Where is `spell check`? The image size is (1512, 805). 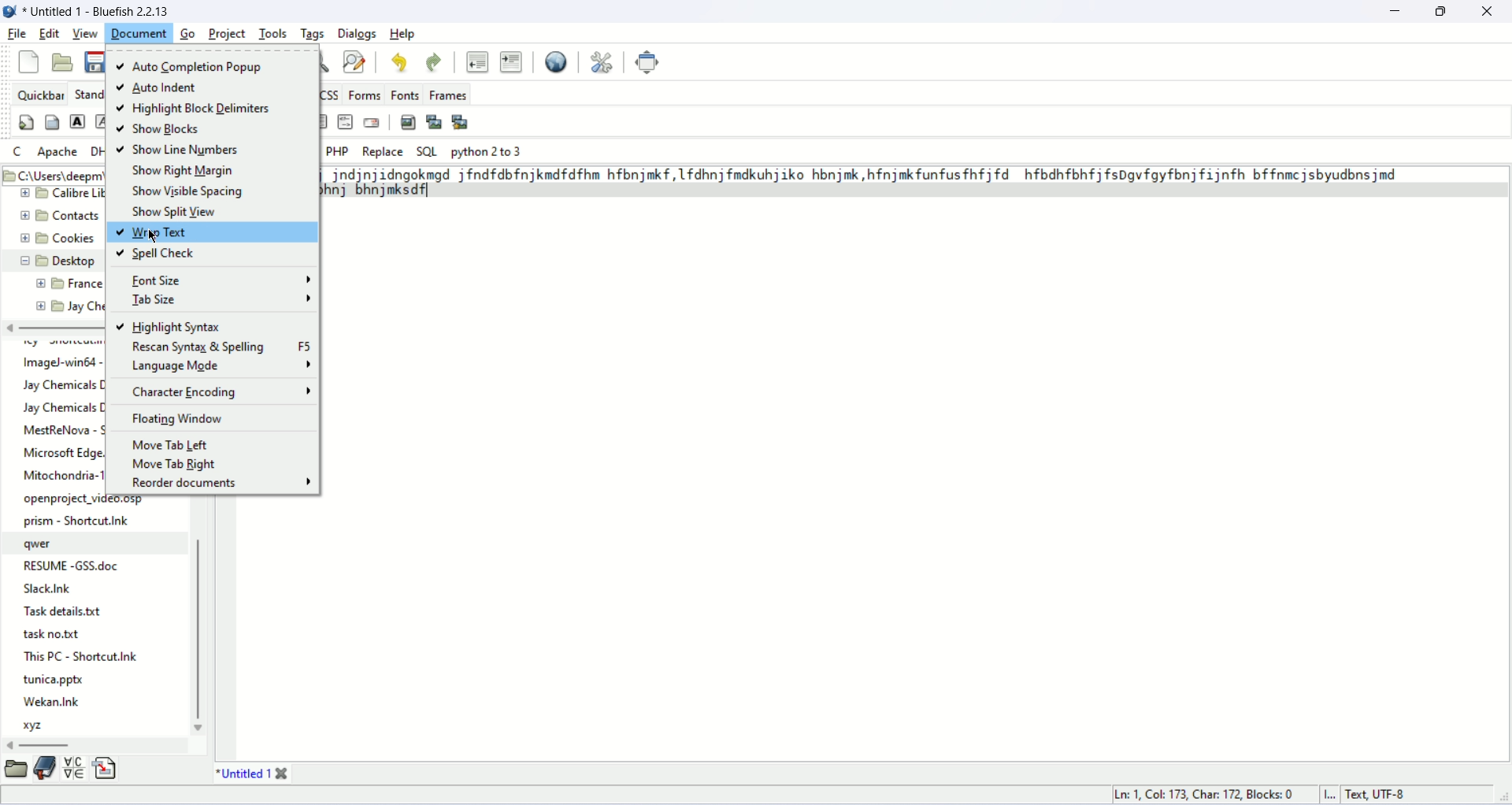
spell check is located at coordinates (155, 254).